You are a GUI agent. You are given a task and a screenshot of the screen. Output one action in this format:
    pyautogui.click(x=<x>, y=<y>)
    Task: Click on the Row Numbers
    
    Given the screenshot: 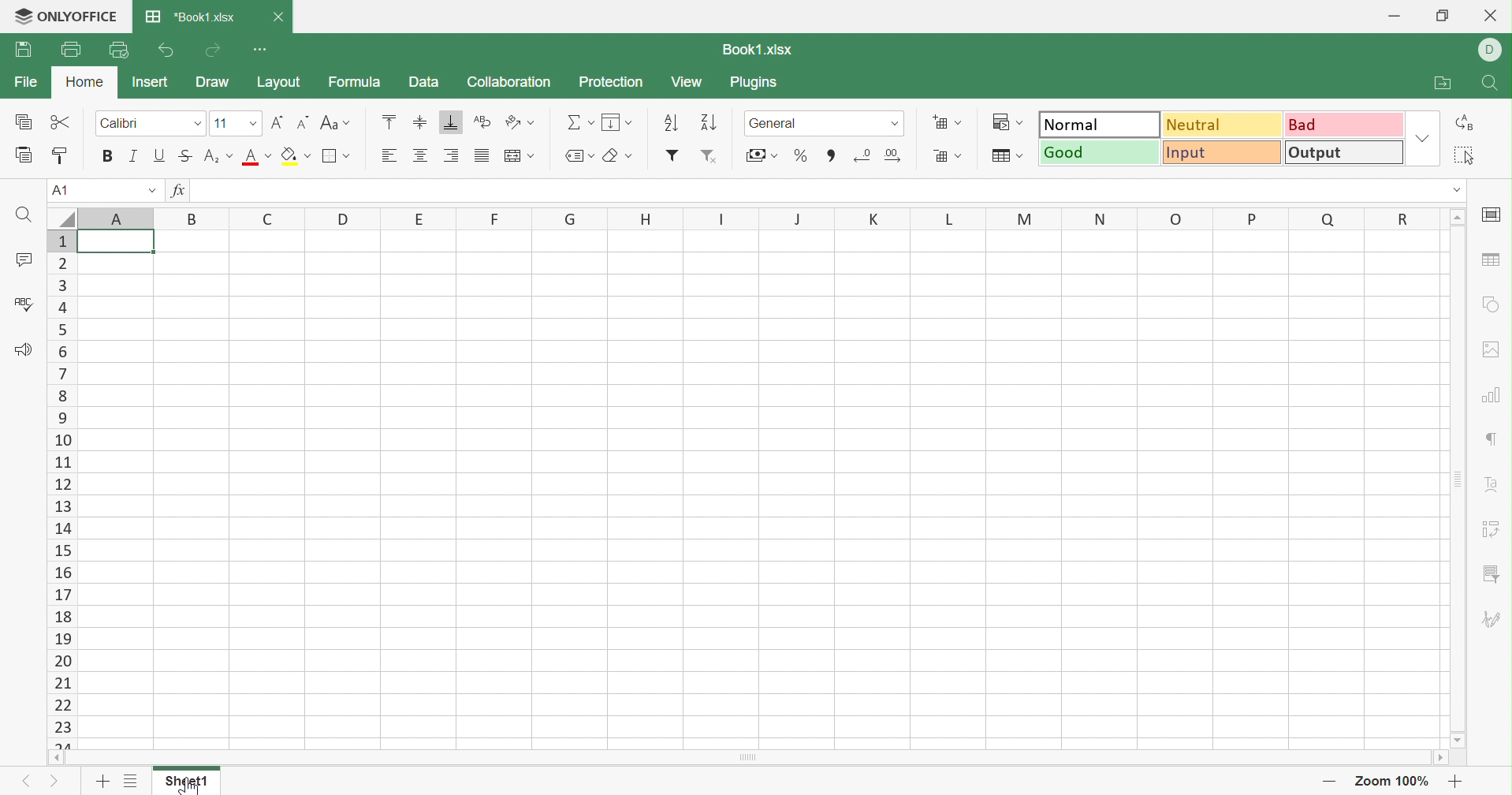 What is the action you would take?
    pyautogui.click(x=63, y=490)
    